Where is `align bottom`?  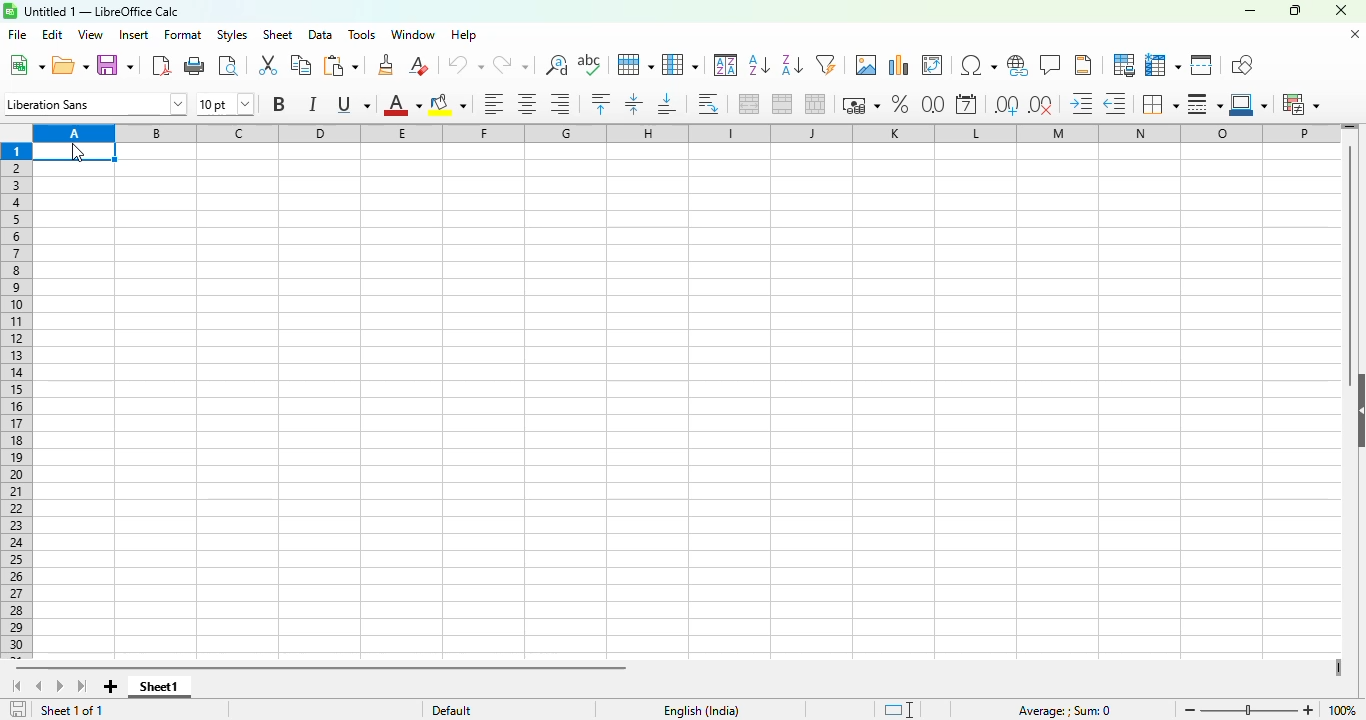
align bottom is located at coordinates (667, 104).